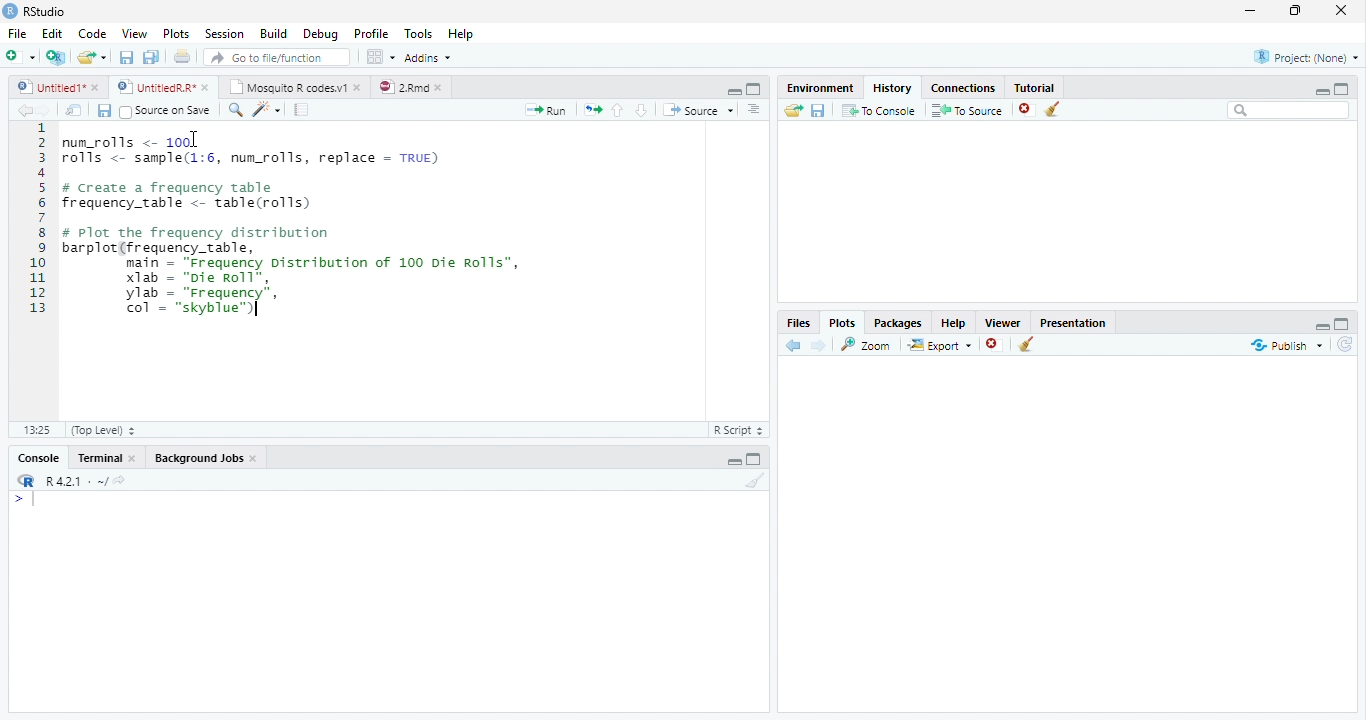 The width and height of the screenshot is (1366, 720). What do you see at coordinates (386, 601) in the screenshot?
I see `Console` at bounding box center [386, 601].